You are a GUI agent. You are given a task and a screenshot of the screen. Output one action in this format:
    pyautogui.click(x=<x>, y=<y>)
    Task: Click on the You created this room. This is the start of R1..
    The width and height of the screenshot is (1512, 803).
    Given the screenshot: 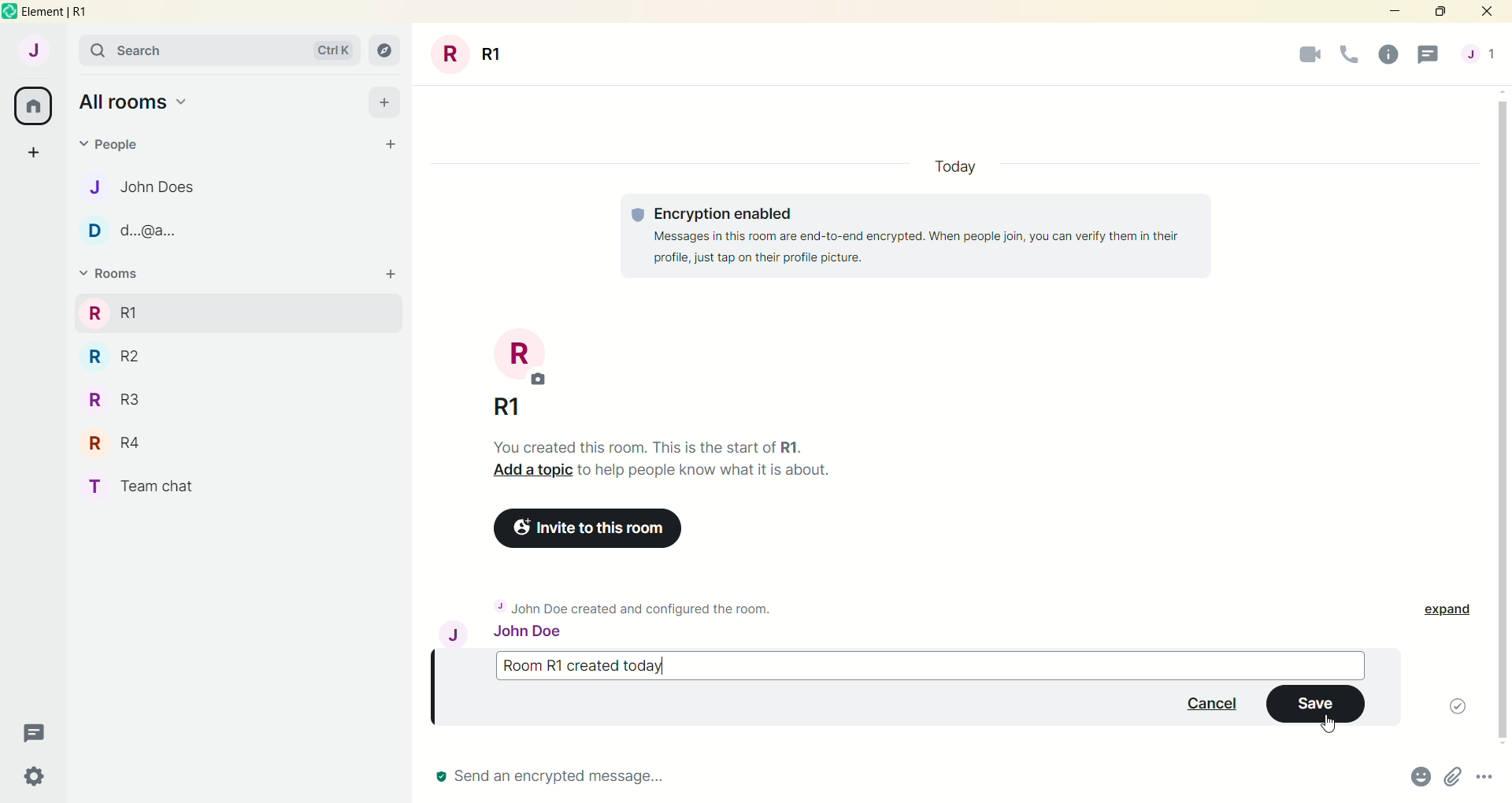 What is the action you would take?
    pyautogui.click(x=658, y=445)
    